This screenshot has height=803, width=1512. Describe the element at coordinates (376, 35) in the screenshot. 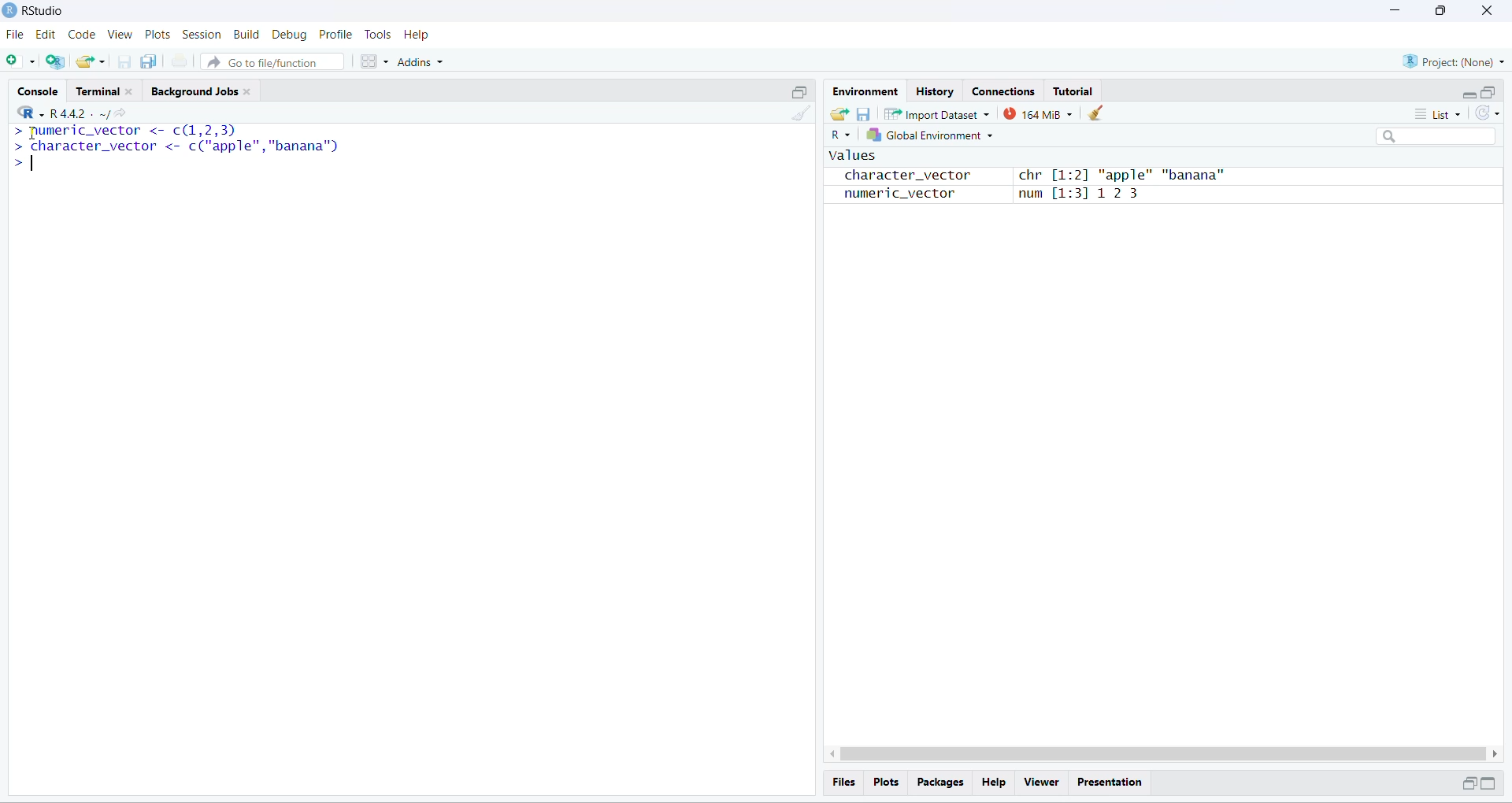

I see `Tools` at that location.